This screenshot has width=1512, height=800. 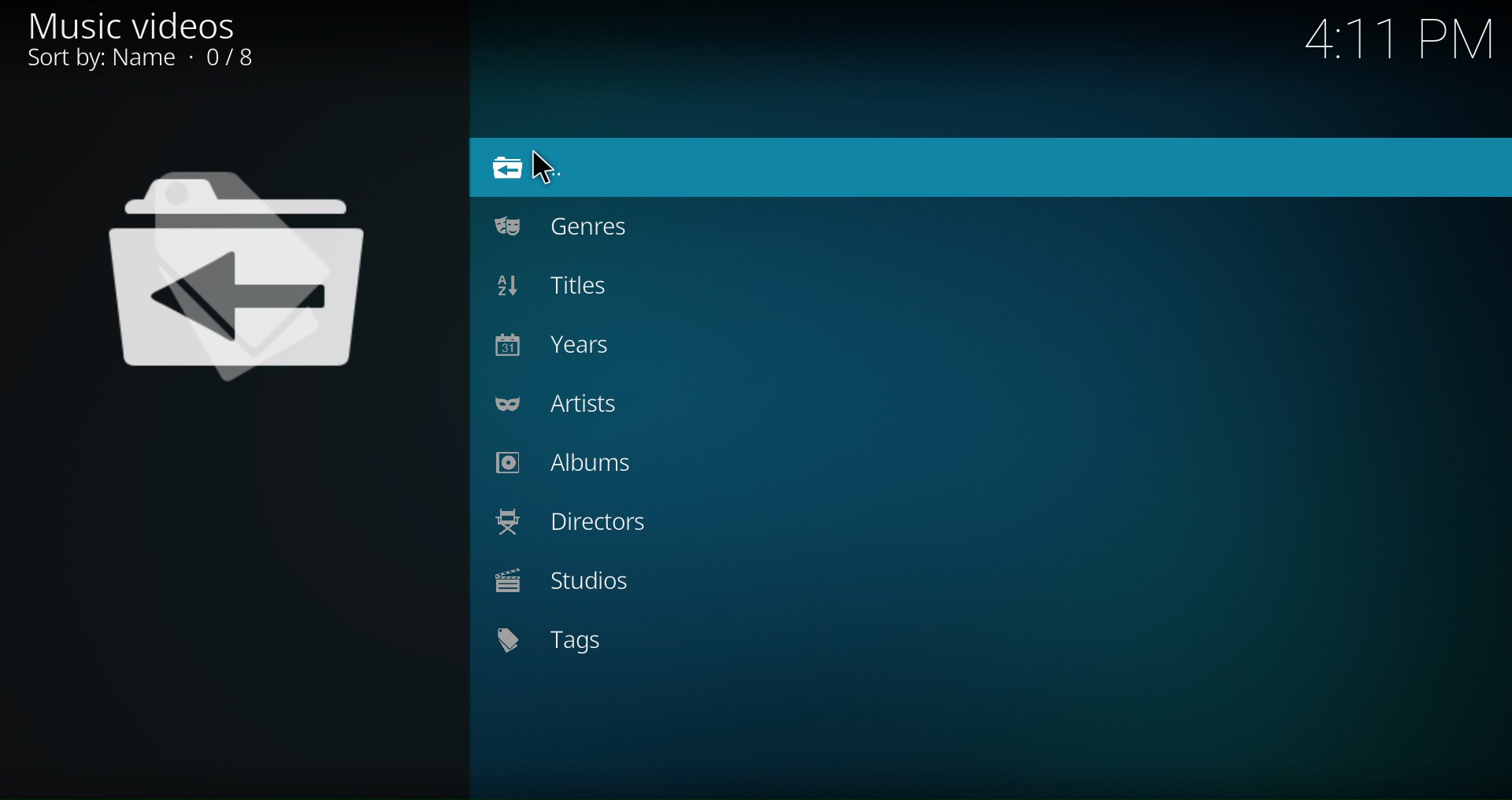 What do you see at coordinates (153, 43) in the screenshot?
I see `Music videos, Sort by: 0/8` at bounding box center [153, 43].